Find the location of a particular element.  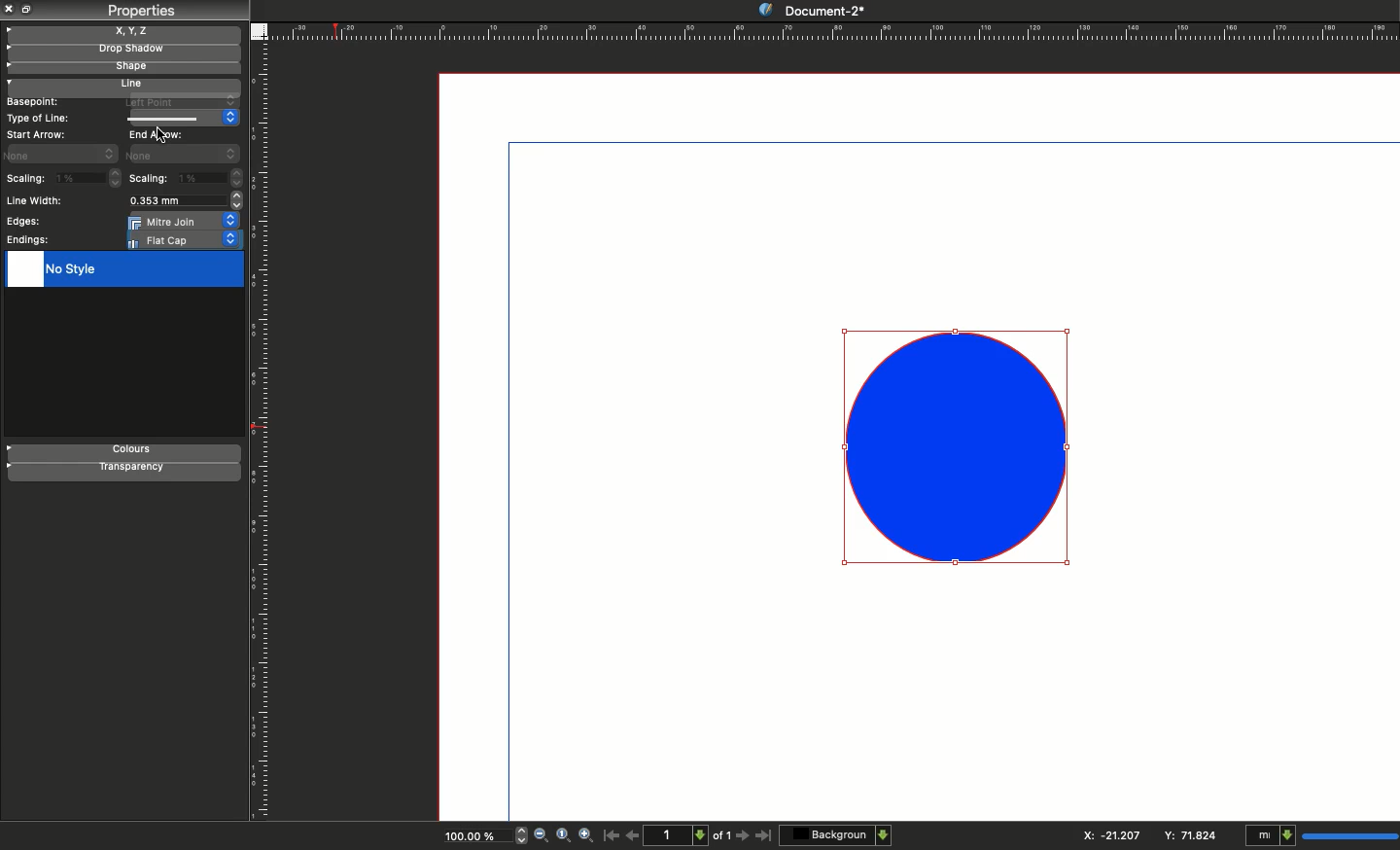

1% is located at coordinates (212, 179).